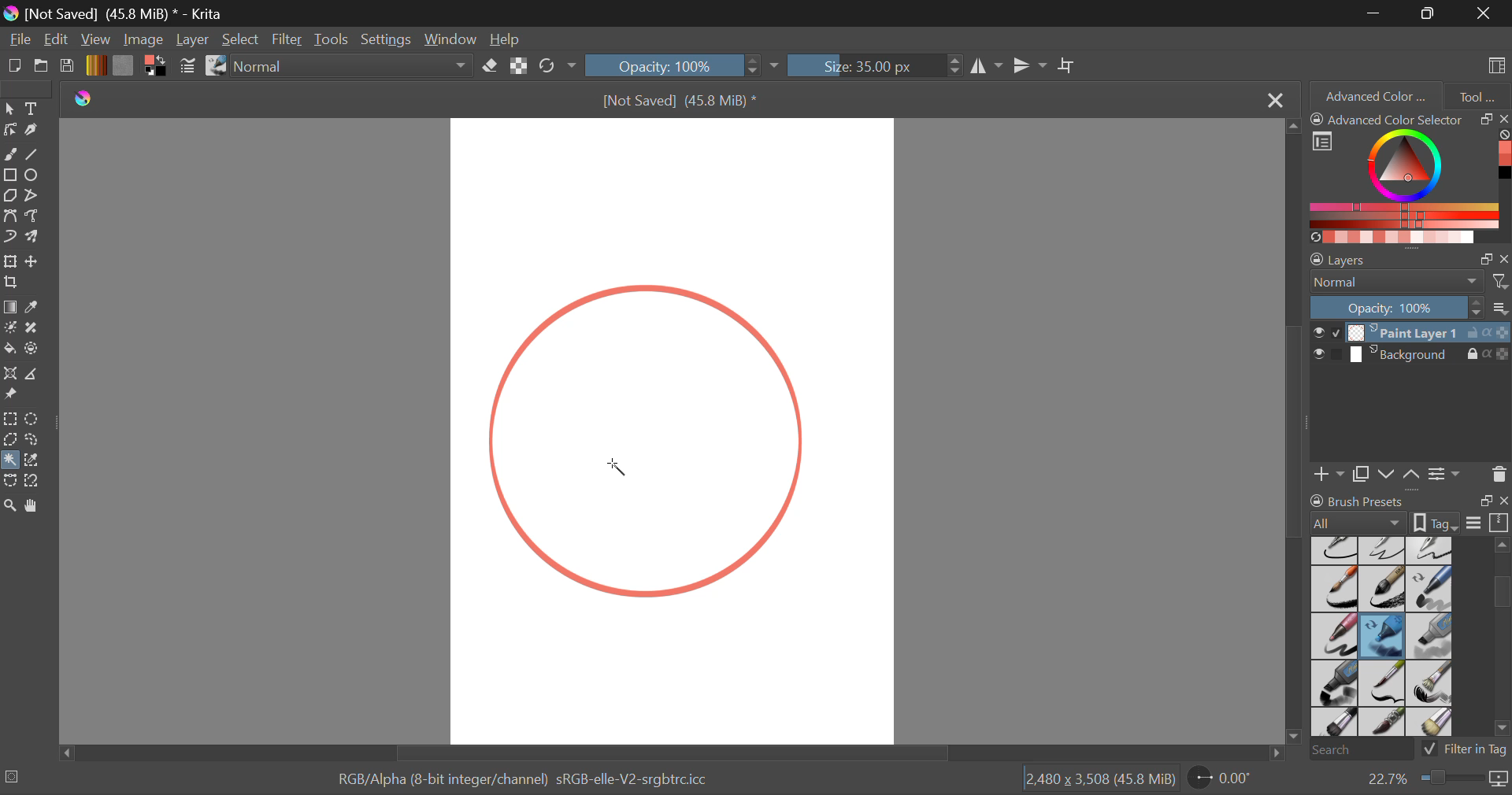  What do you see at coordinates (9, 457) in the screenshot?
I see `Tool Selected` at bounding box center [9, 457].